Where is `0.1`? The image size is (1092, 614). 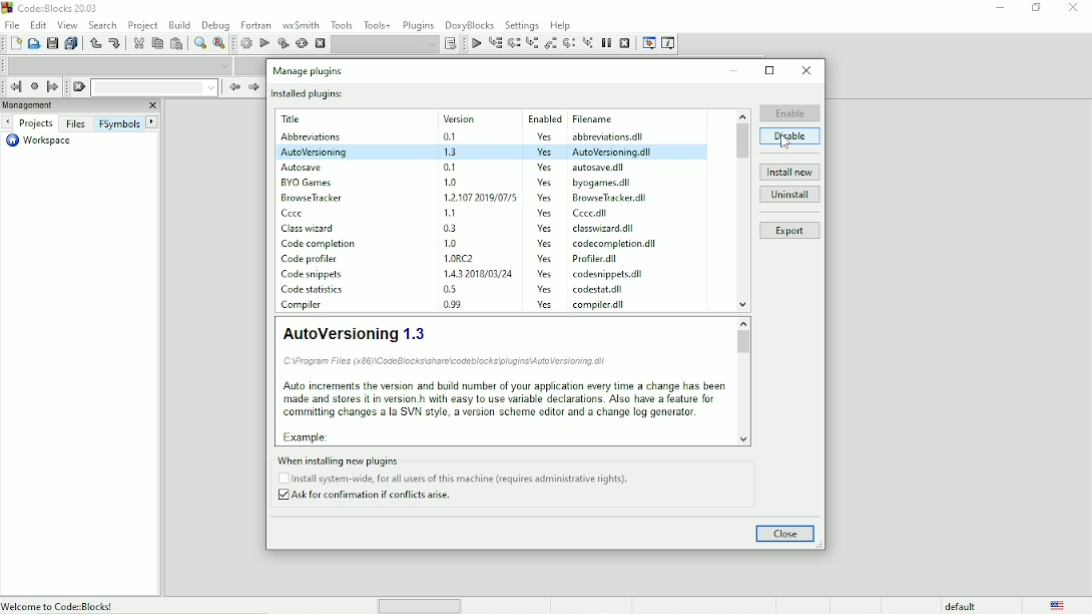
0.1 is located at coordinates (450, 137).